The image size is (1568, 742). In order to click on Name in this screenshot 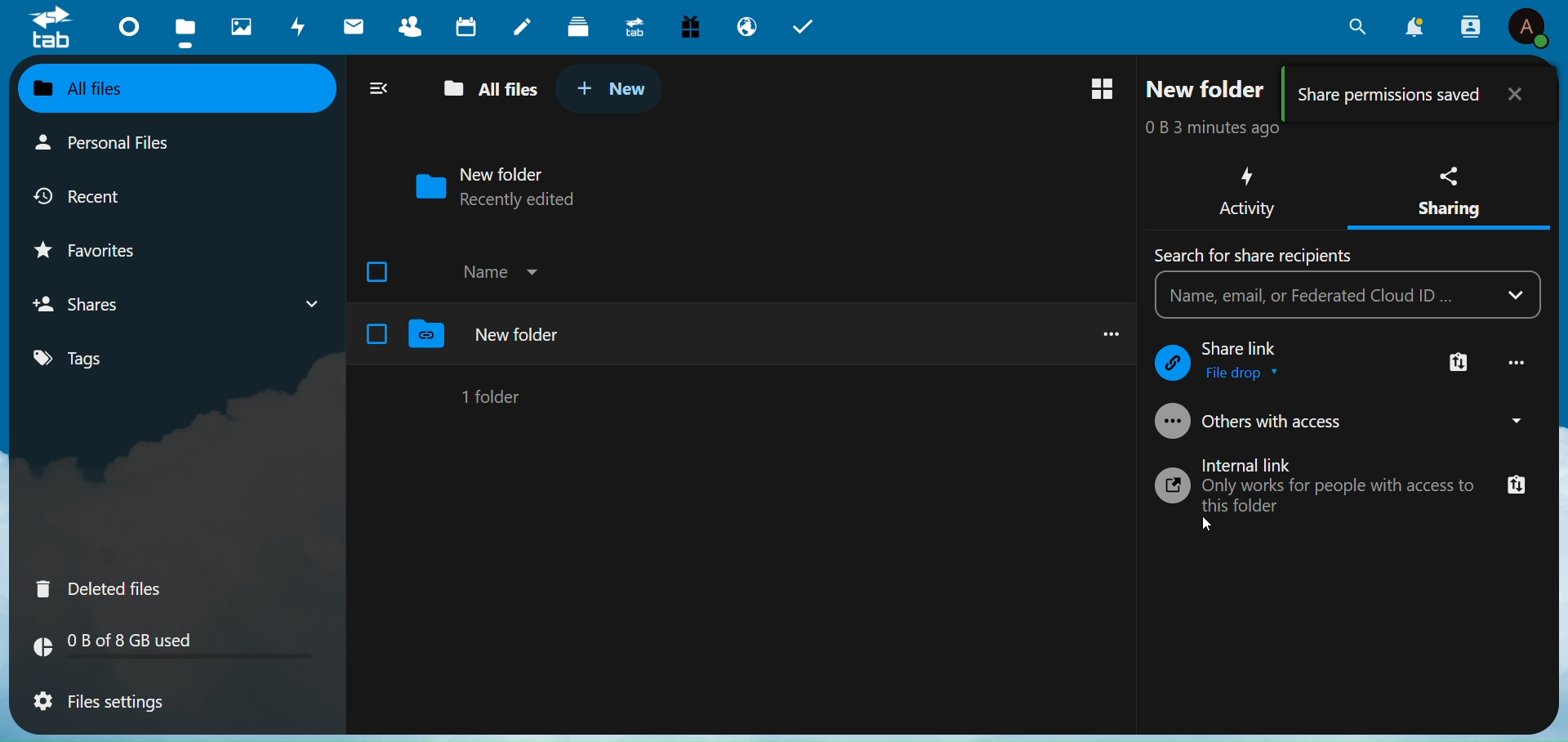, I will do `click(483, 272)`.